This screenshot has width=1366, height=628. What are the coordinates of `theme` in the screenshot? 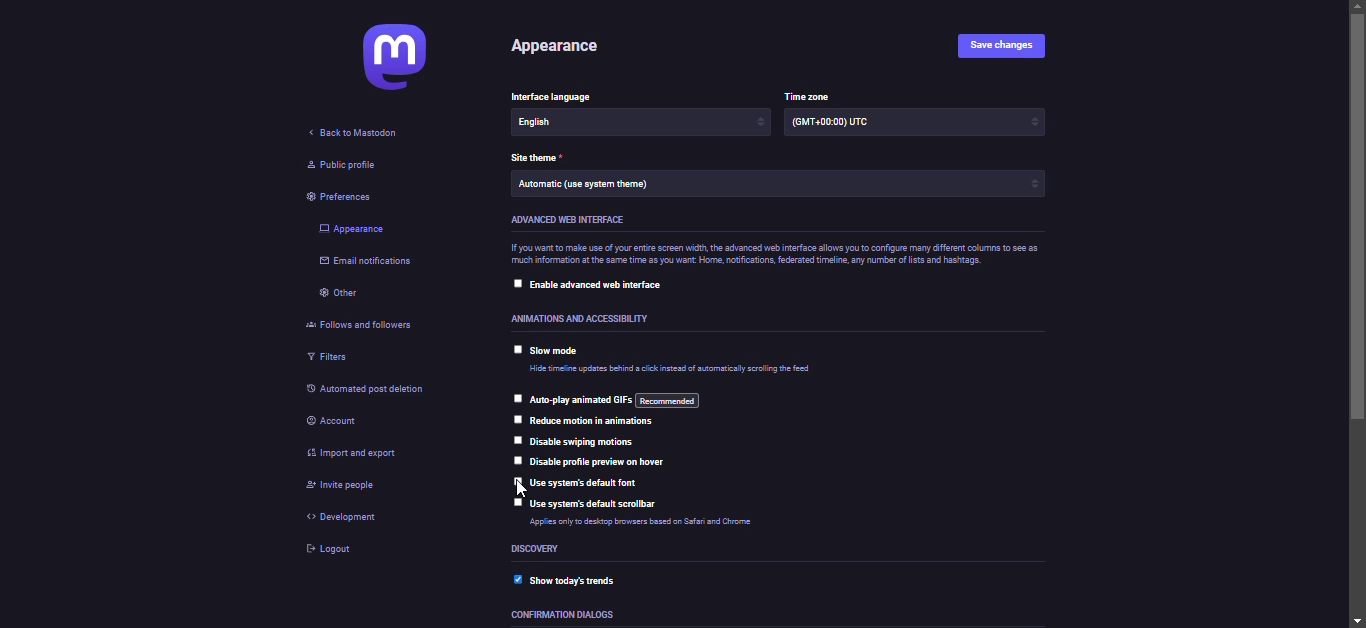 It's located at (588, 188).